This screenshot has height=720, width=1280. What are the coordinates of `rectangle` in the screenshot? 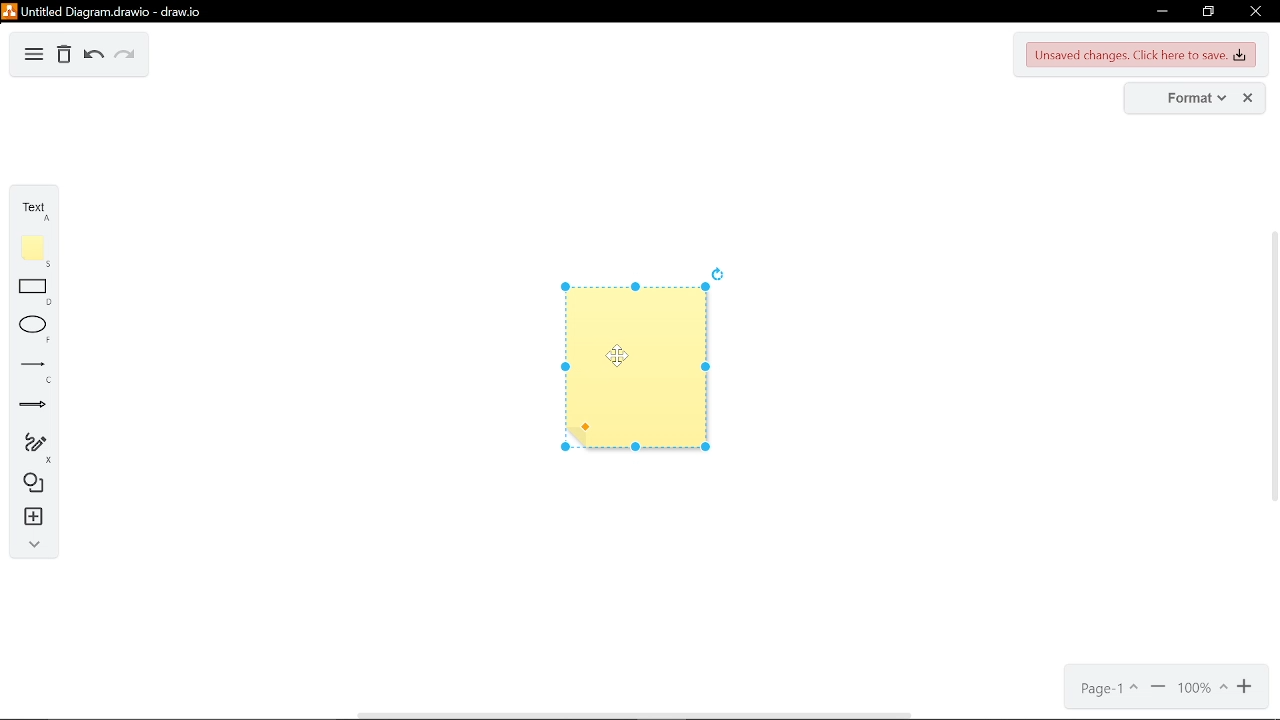 It's located at (34, 294).